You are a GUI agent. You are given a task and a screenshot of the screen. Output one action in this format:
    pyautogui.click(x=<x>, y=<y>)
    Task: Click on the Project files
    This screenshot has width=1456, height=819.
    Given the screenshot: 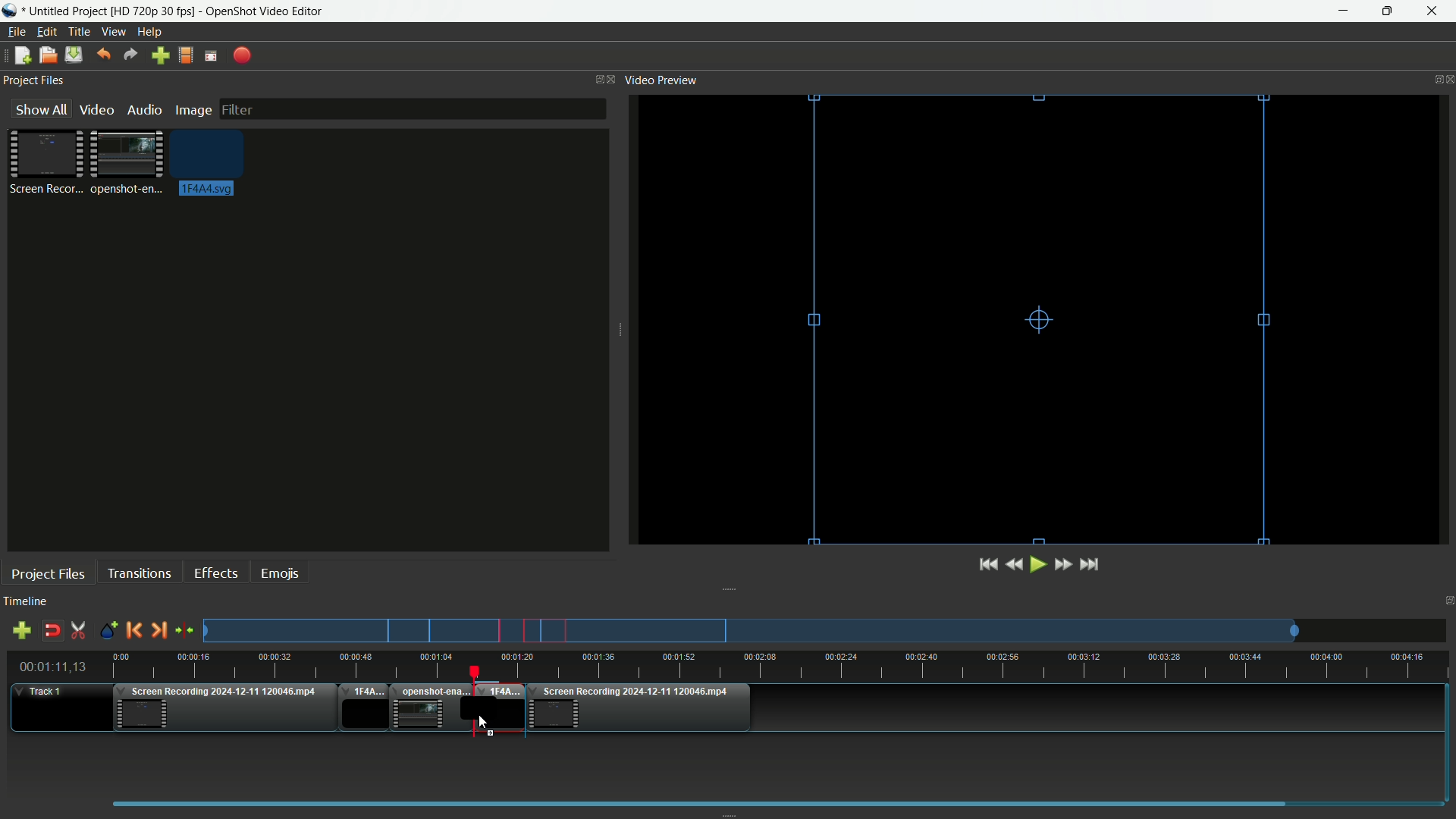 What is the action you would take?
    pyautogui.click(x=33, y=80)
    